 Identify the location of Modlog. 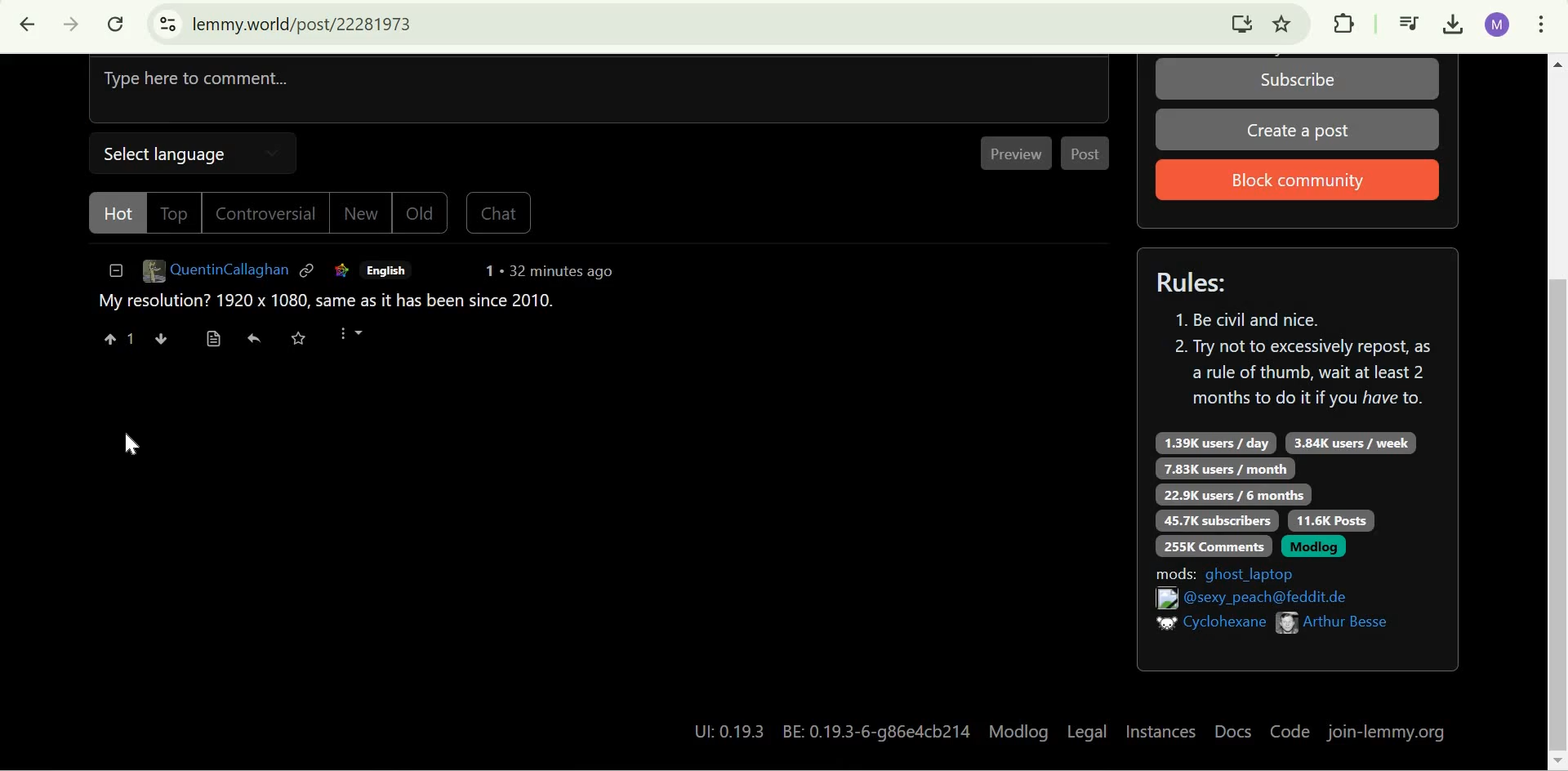
(1312, 547).